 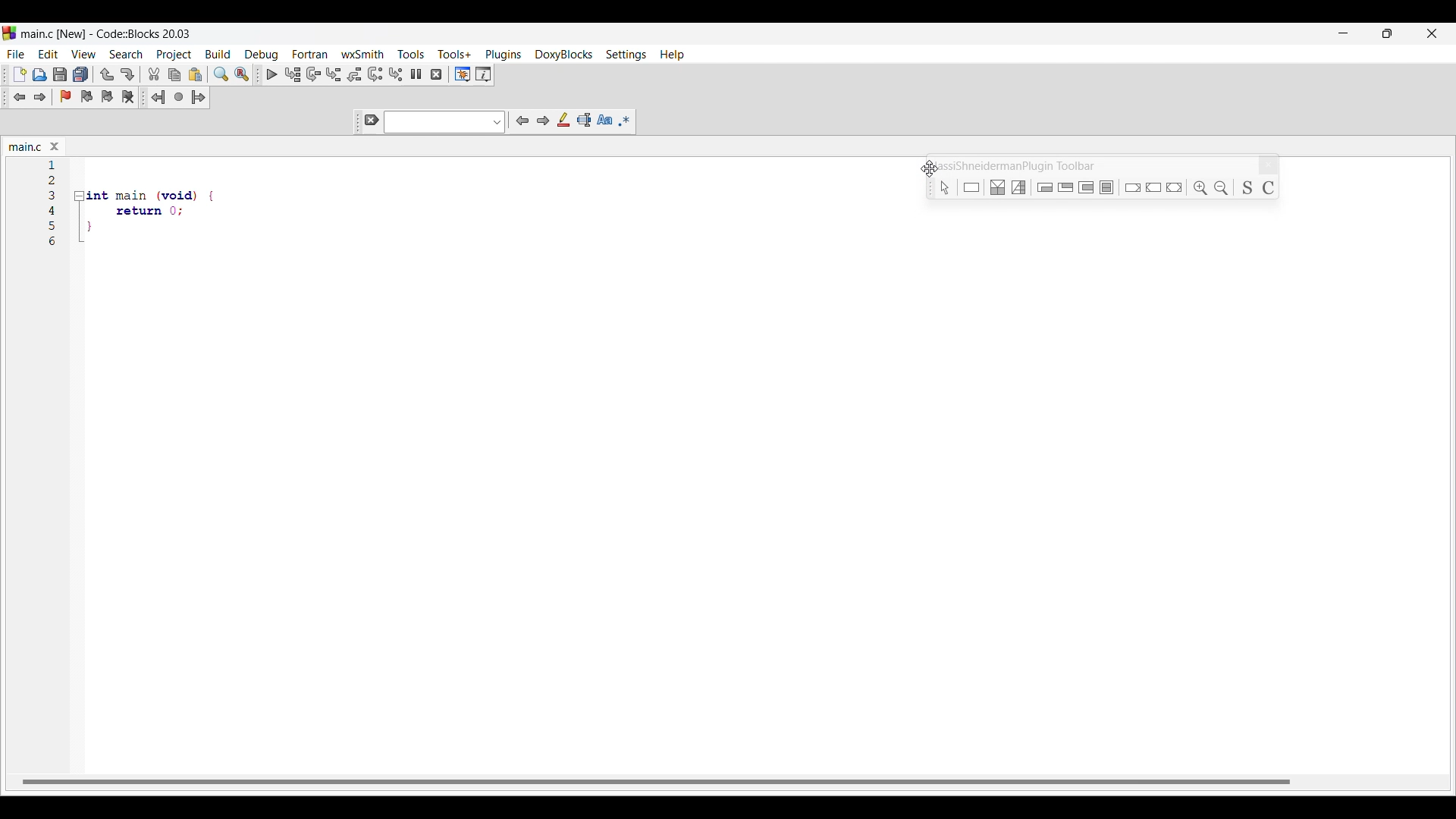 What do you see at coordinates (179, 96) in the screenshot?
I see `Last jump` at bounding box center [179, 96].